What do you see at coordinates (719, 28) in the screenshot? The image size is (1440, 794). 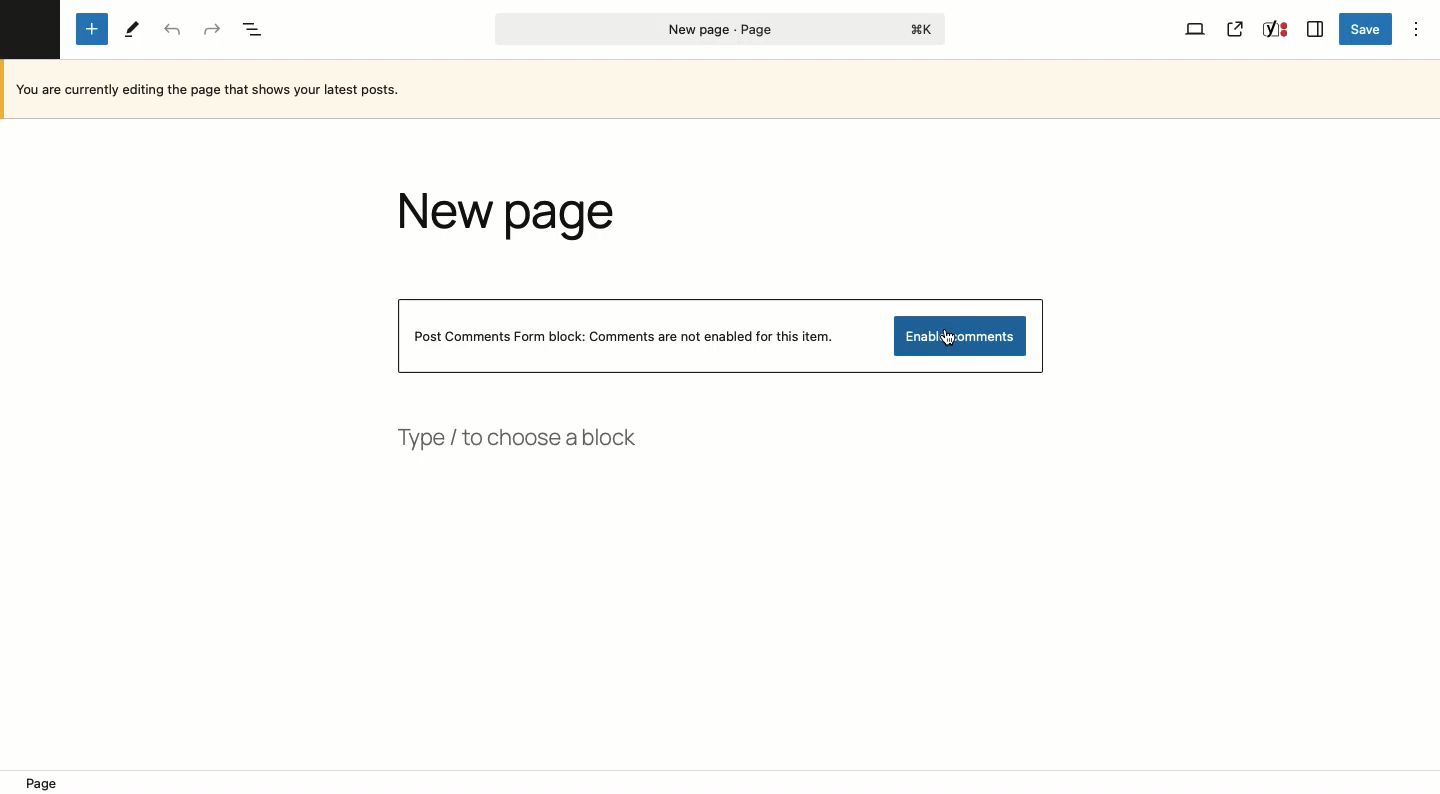 I see `Page` at bounding box center [719, 28].